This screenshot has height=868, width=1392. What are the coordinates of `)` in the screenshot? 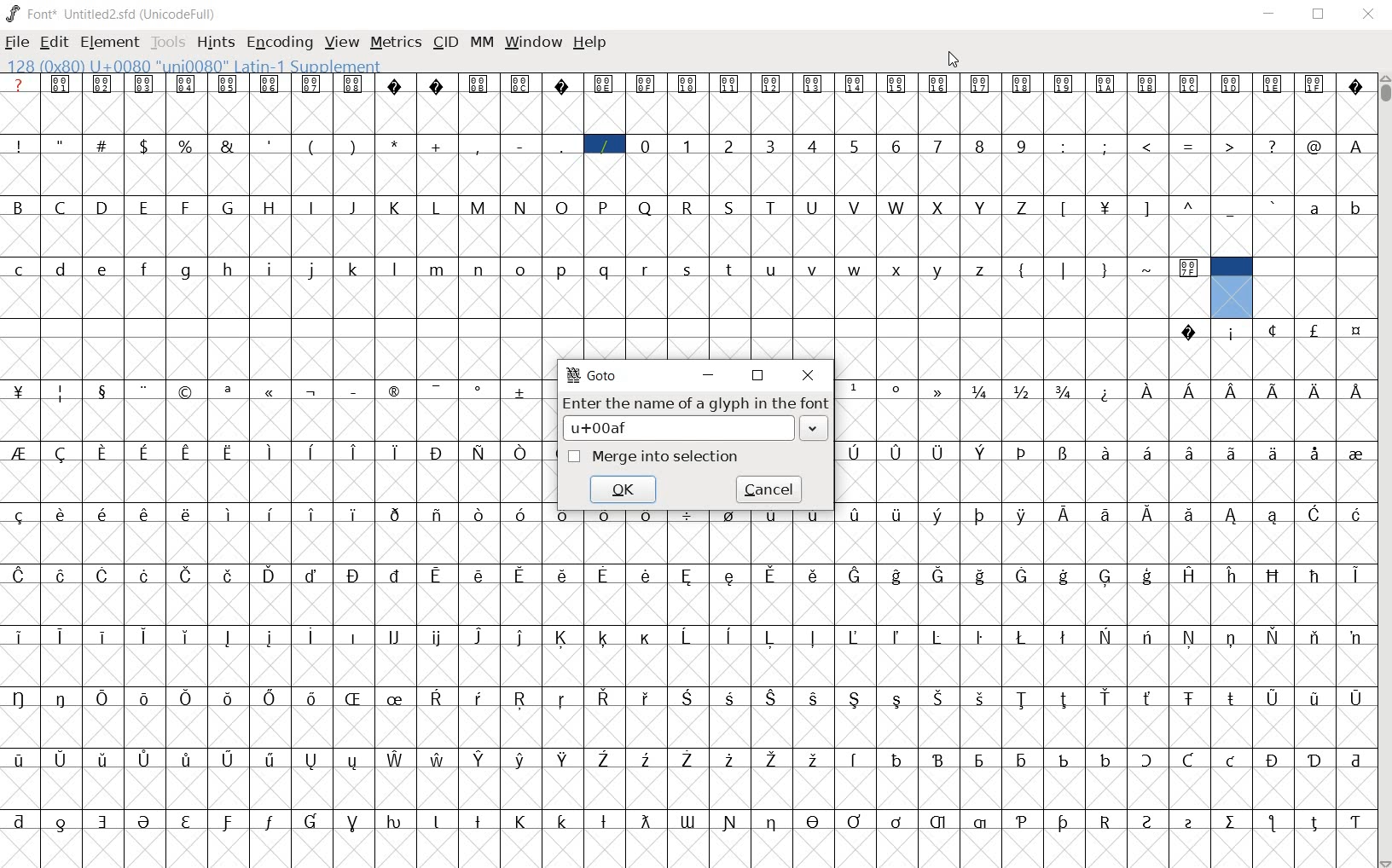 It's located at (356, 146).